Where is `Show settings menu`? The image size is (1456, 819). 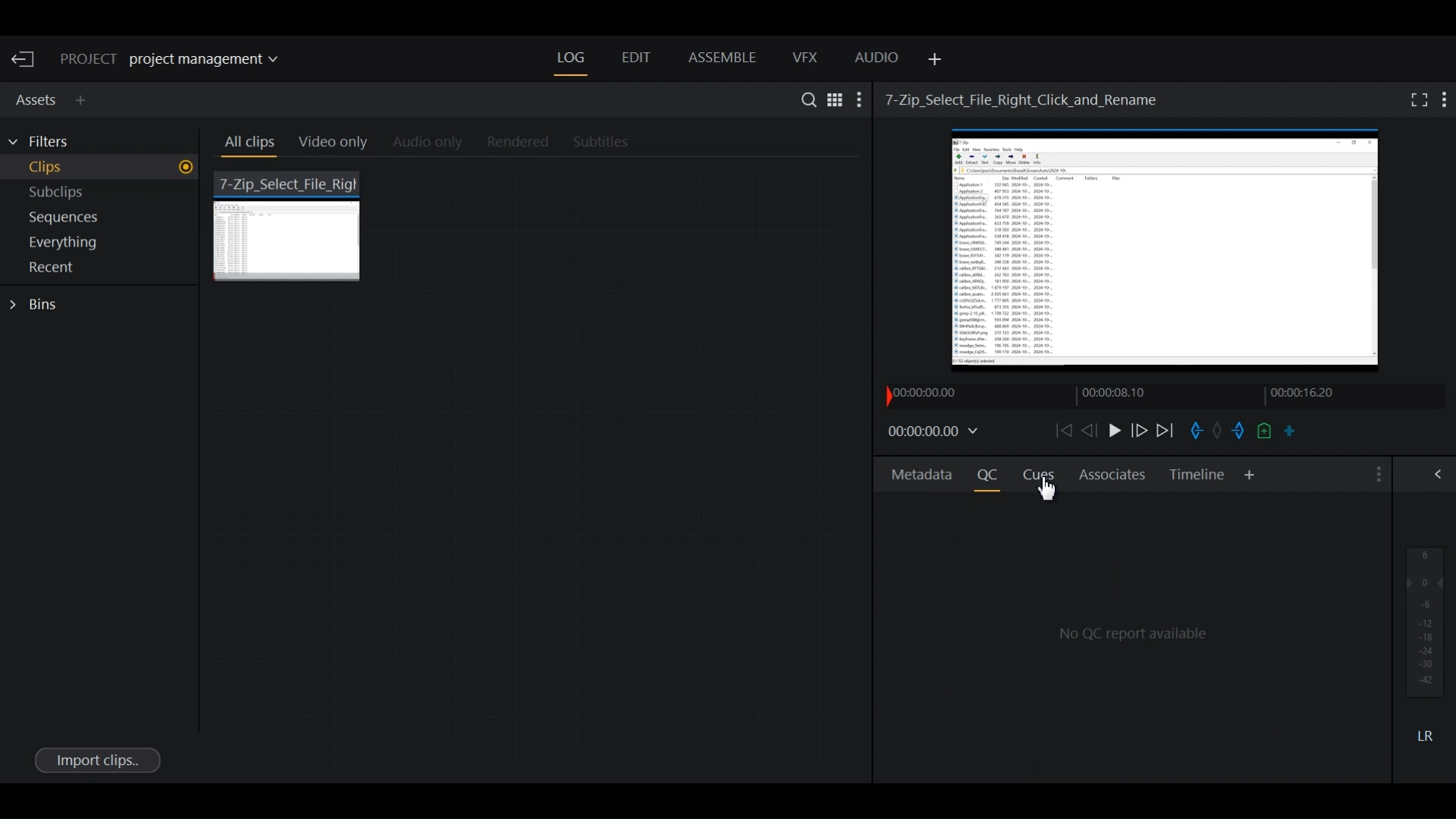
Show settings menu is located at coordinates (861, 99).